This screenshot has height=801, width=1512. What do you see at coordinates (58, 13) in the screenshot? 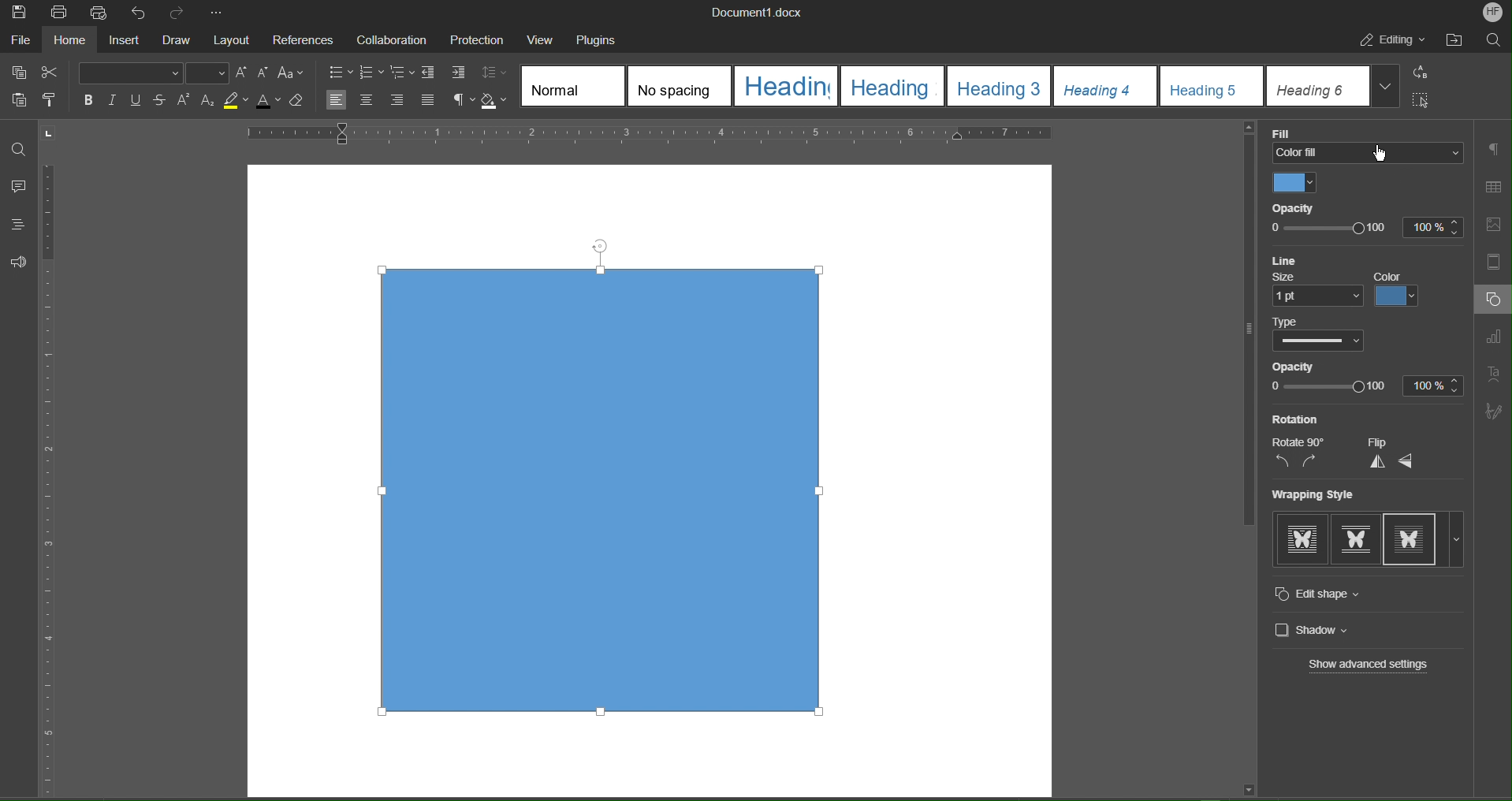
I see `Print` at bounding box center [58, 13].